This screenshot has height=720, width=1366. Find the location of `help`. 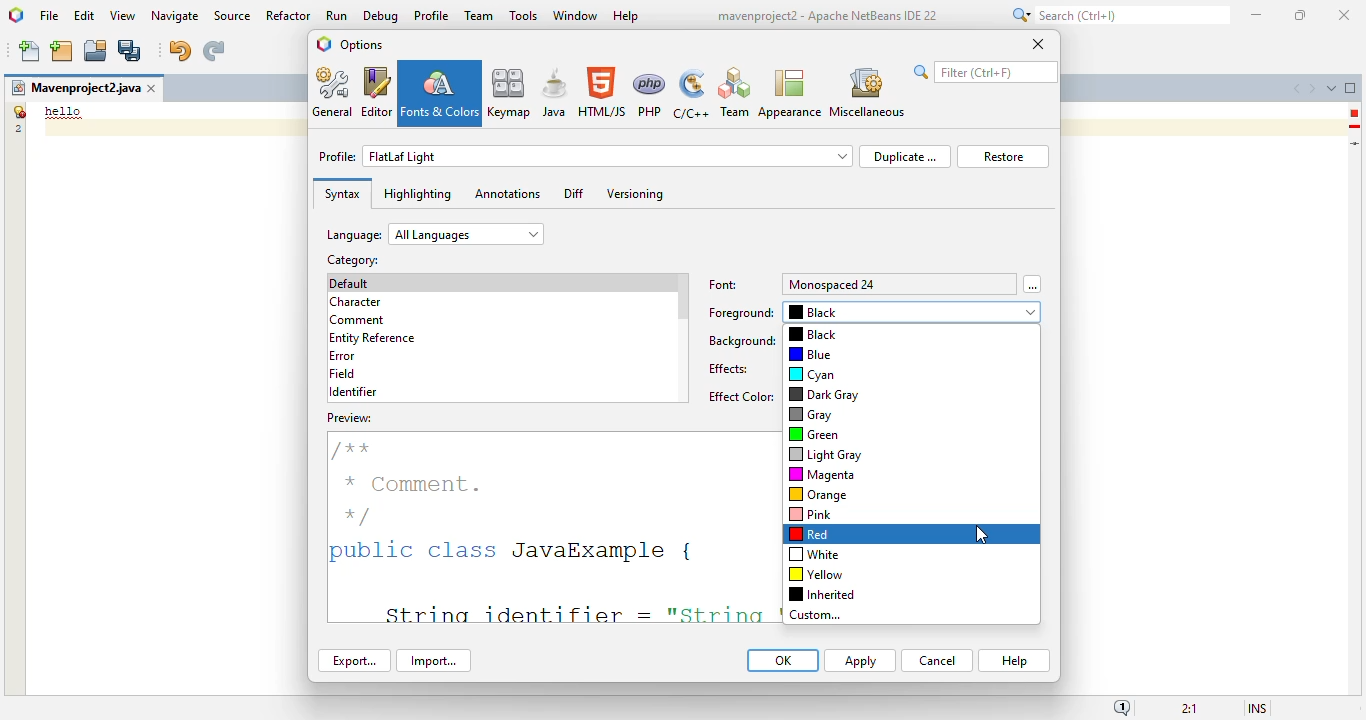

help is located at coordinates (627, 17).